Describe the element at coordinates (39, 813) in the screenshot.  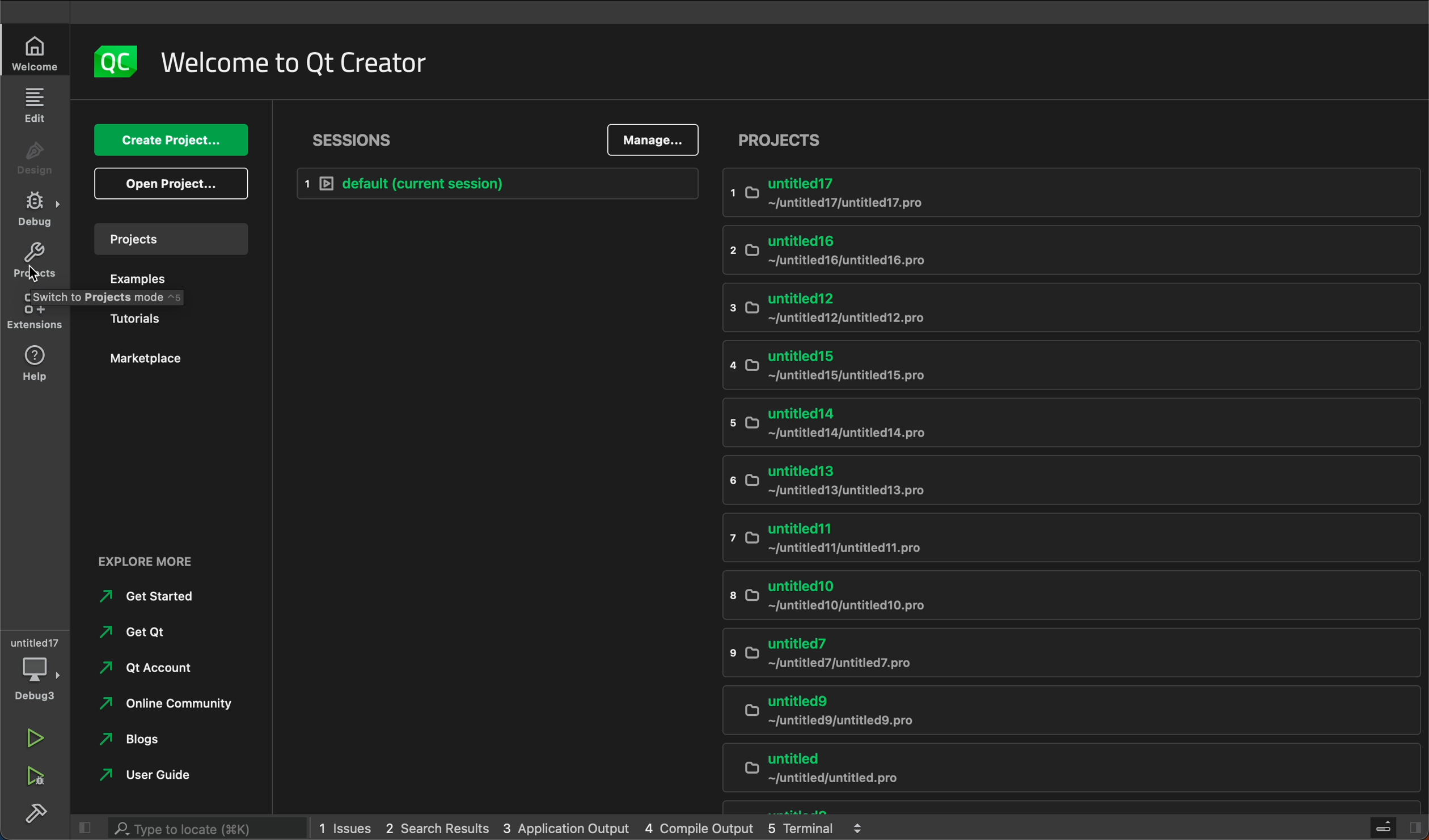
I see `build` at that location.